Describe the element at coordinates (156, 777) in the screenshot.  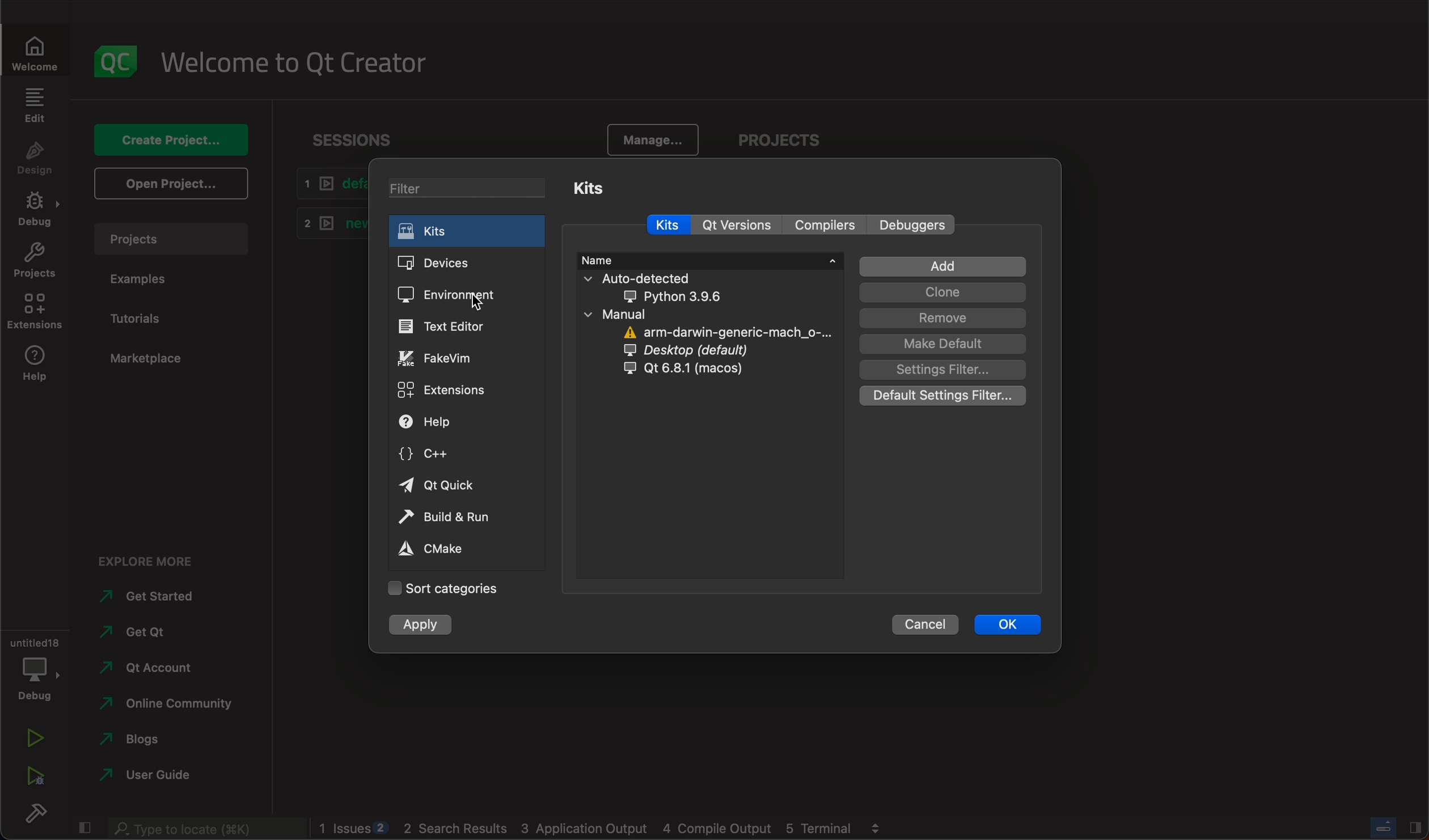
I see `guide` at that location.